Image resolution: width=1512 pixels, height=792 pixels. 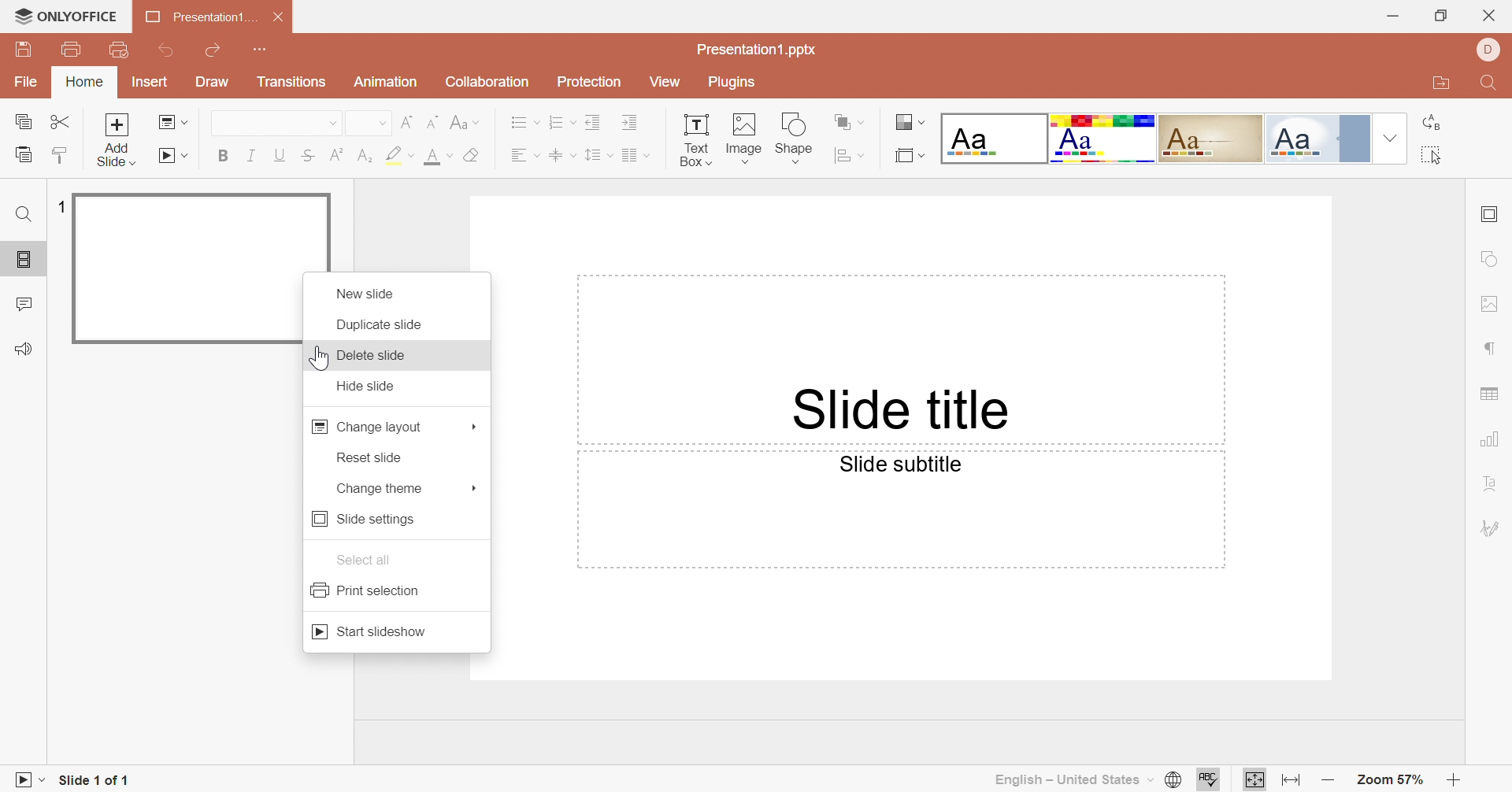 I want to click on Slides, so click(x=26, y=261).